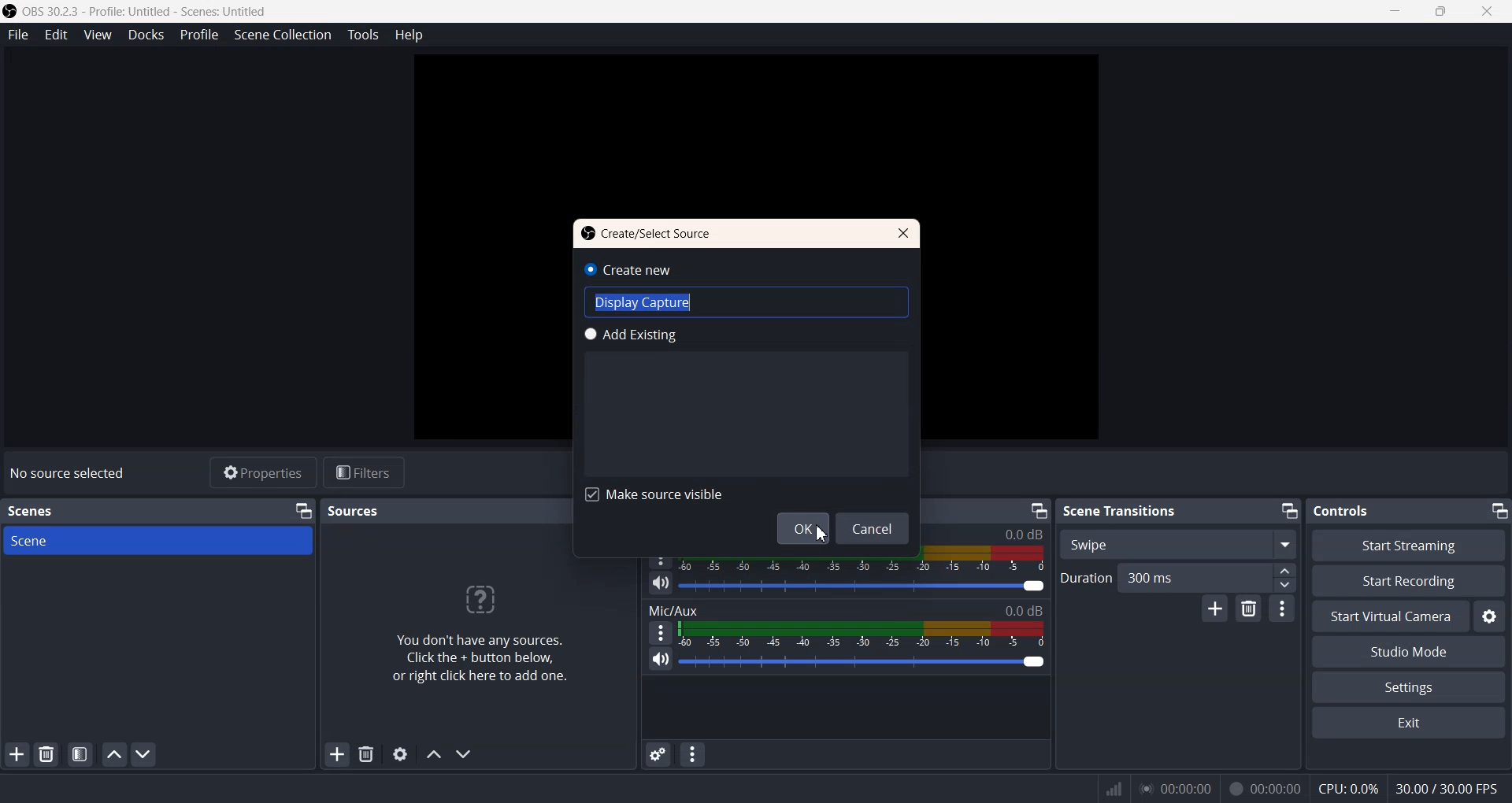 This screenshot has height=803, width=1512. Describe the element at coordinates (148, 11) in the screenshot. I see `® OBS 30.2.3 - Profile: Untitled - Scenes: Untitled` at that location.